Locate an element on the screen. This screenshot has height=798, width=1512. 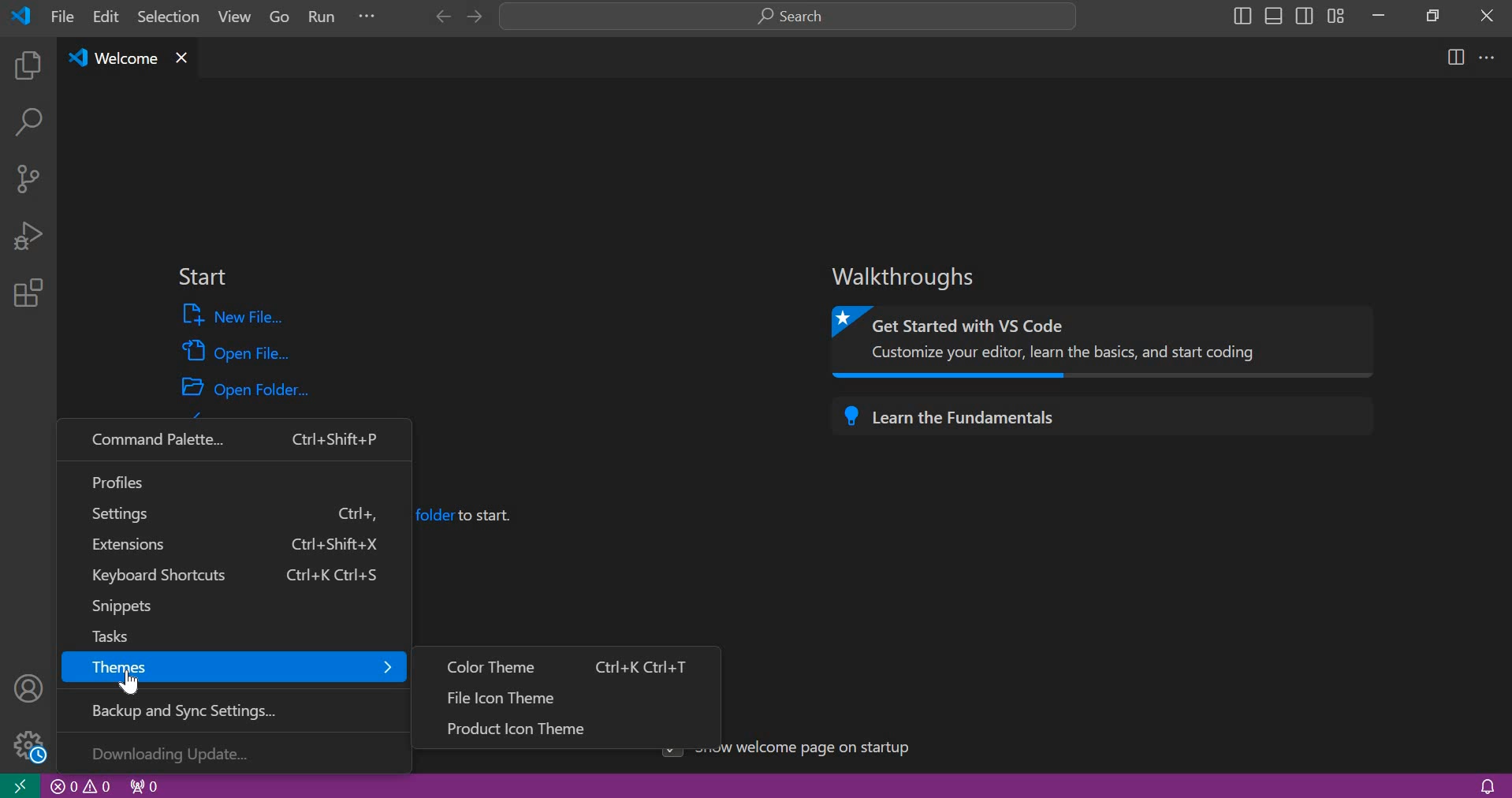
open folder is located at coordinates (248, 386).